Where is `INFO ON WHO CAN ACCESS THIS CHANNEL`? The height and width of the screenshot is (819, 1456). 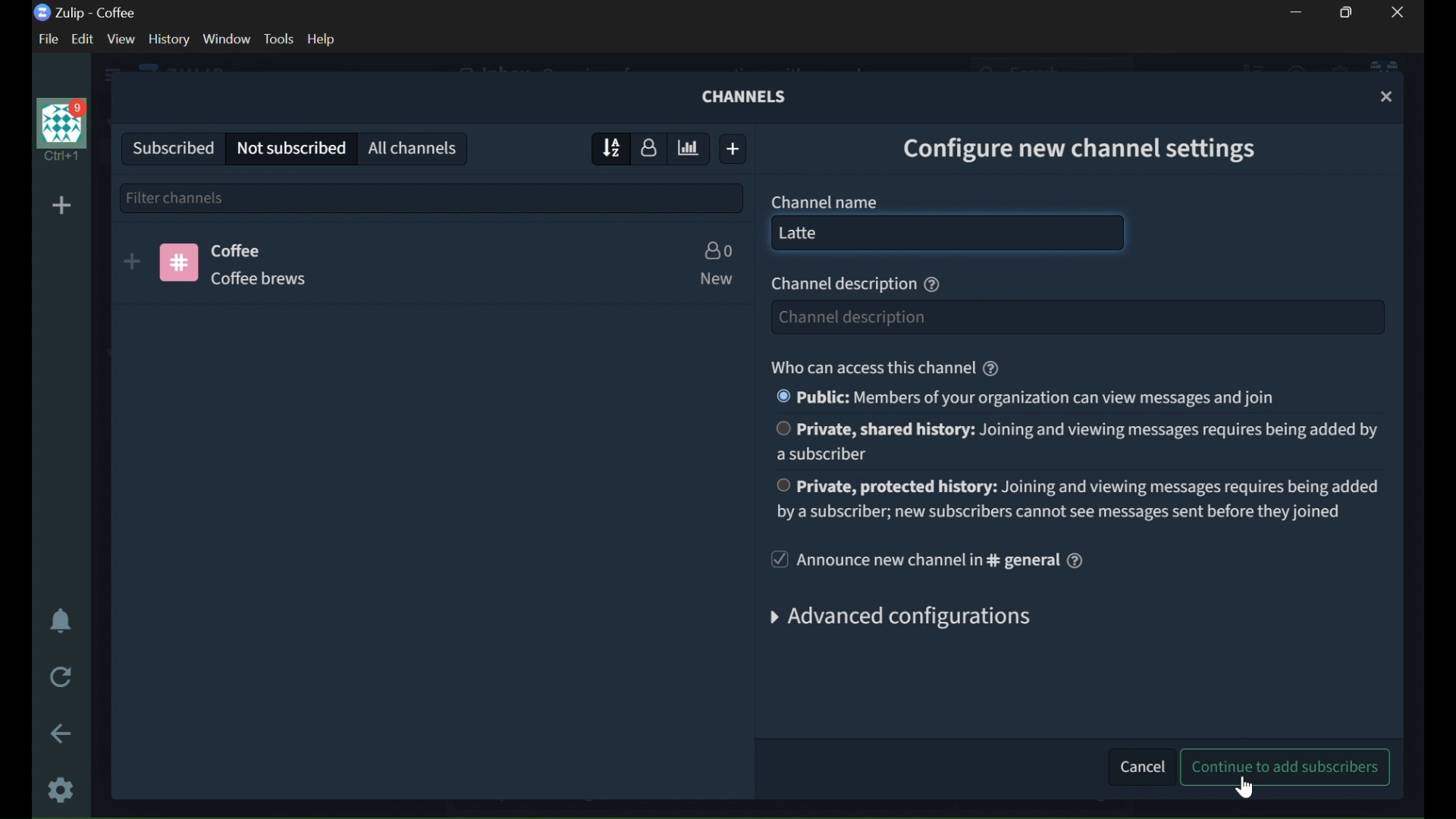
INFO ON WHO CAN ACCESS THIS CHANNEL is located at coordinates (870, 367).